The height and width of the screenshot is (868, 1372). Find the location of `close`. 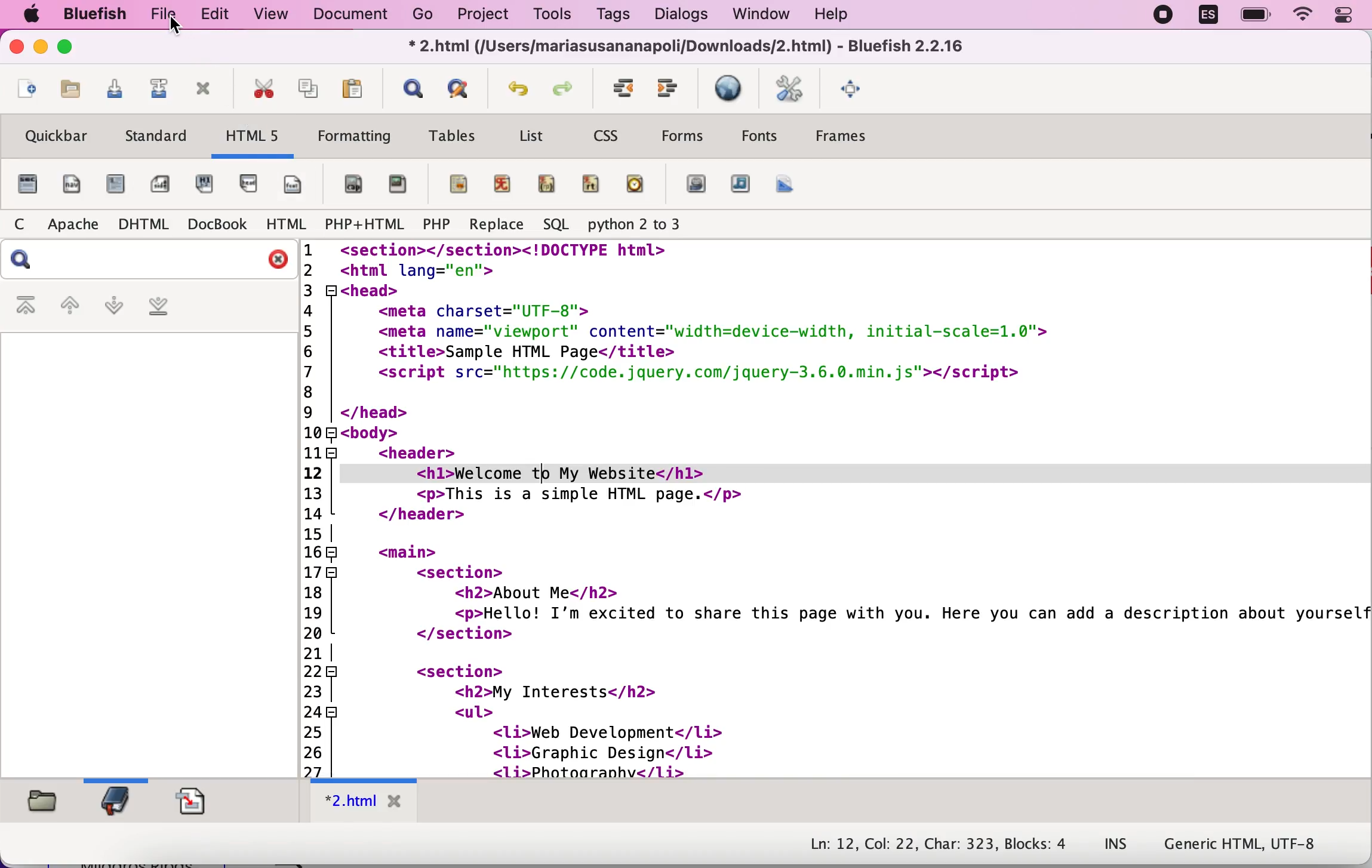

close is located at coordinates (278, 260).